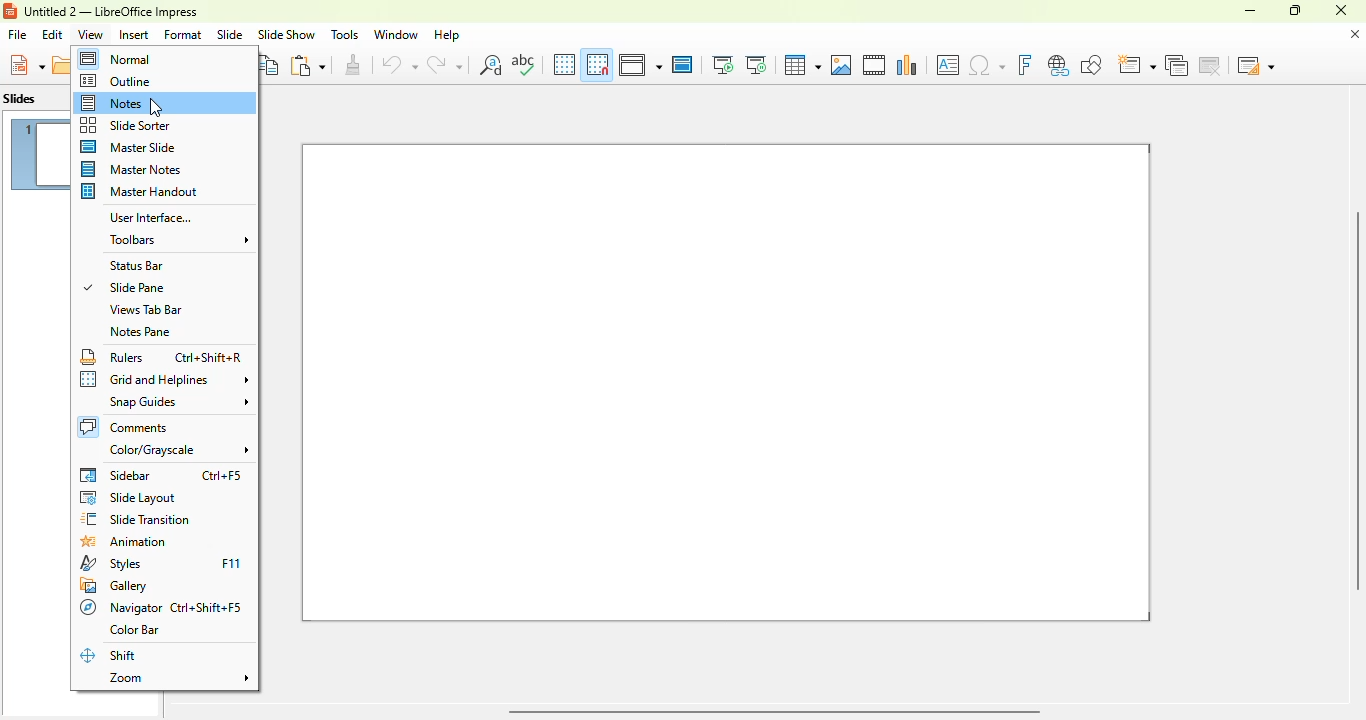 Image resolution: width=1366 pixels, height=720 pixels. I want to click on table, so click(803, 65).